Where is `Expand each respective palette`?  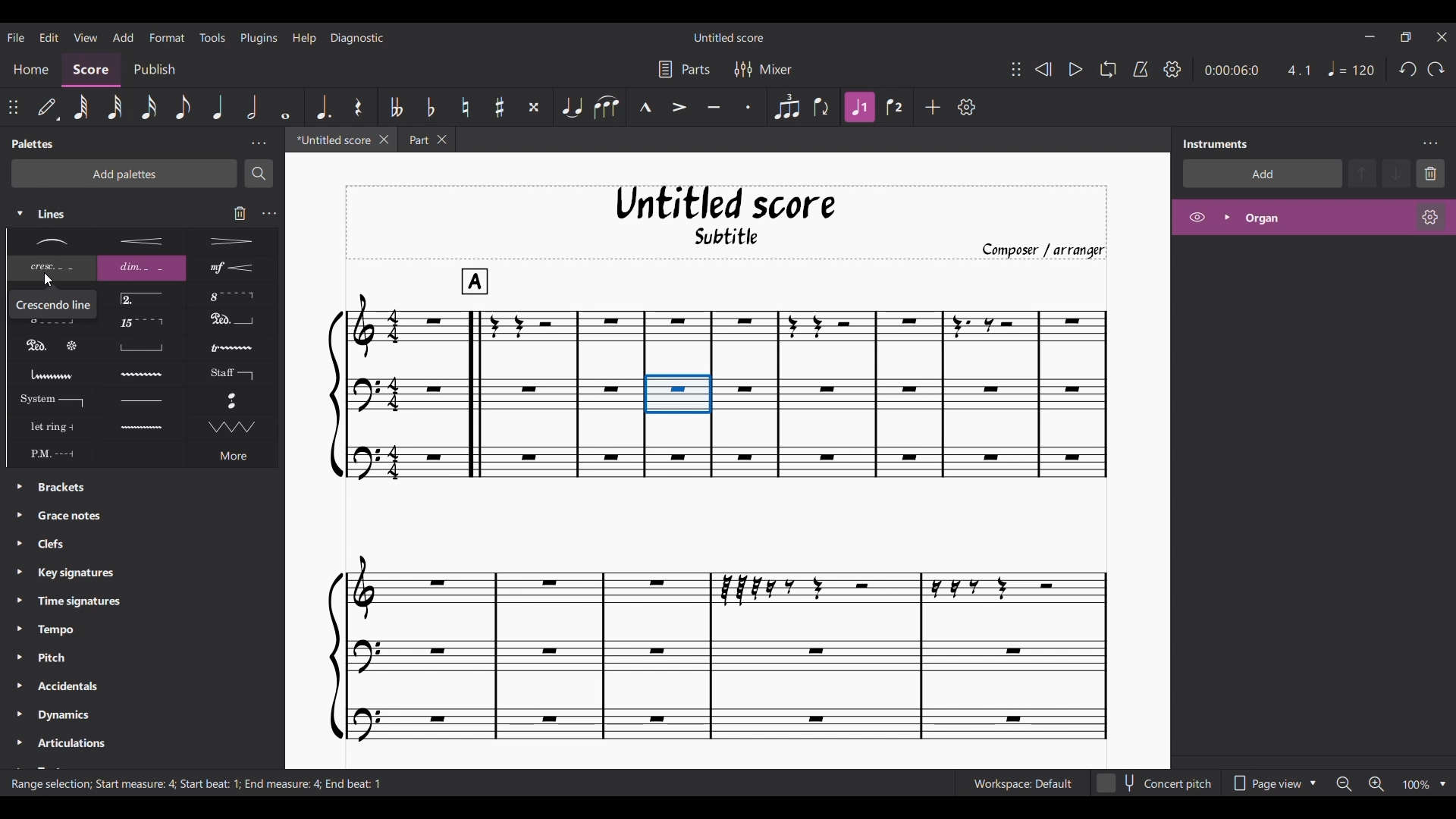 Expand each respective palette is located at coordinates (14, 619).